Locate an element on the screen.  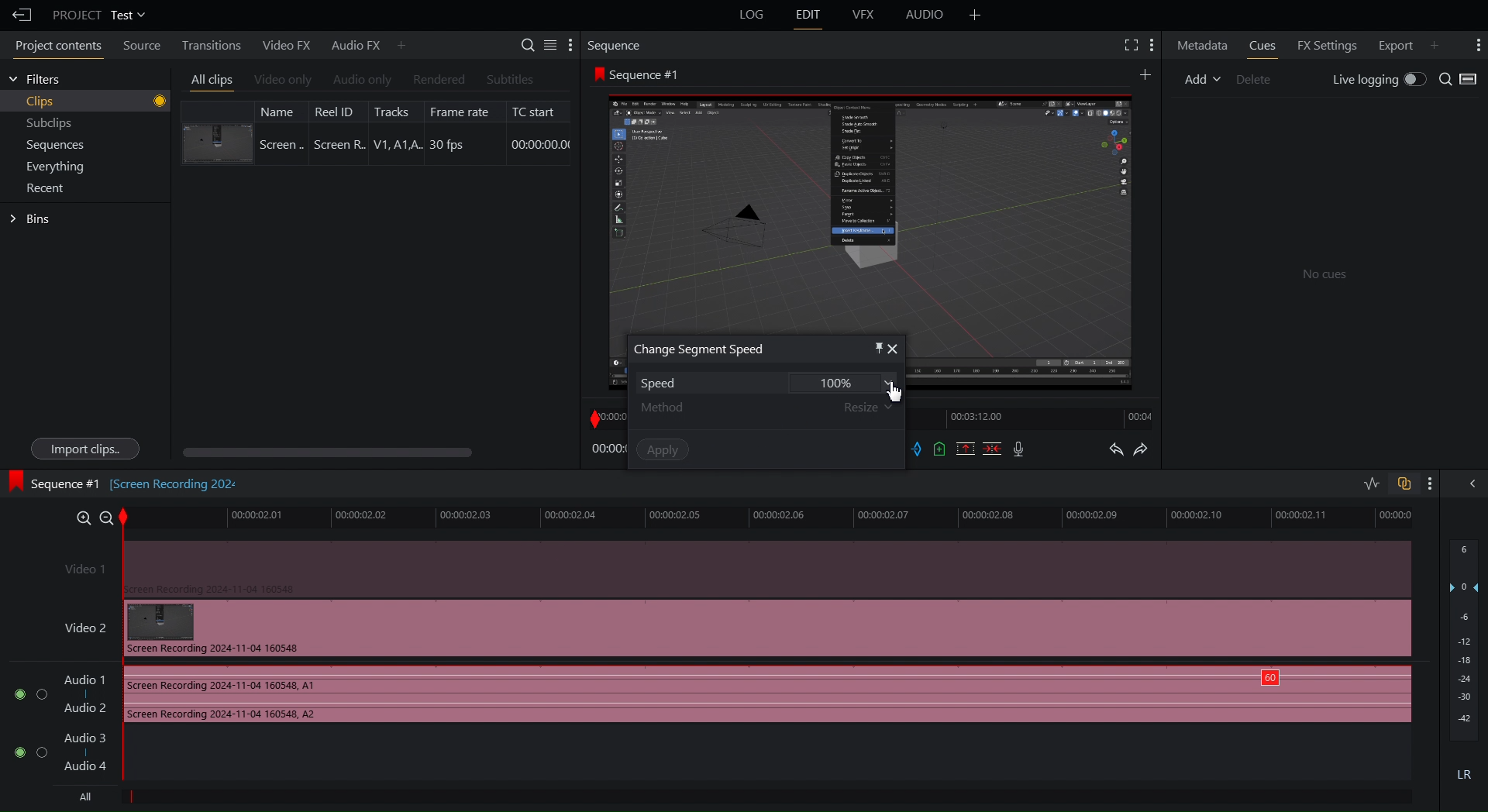
More is located at coordinates (402, 44).